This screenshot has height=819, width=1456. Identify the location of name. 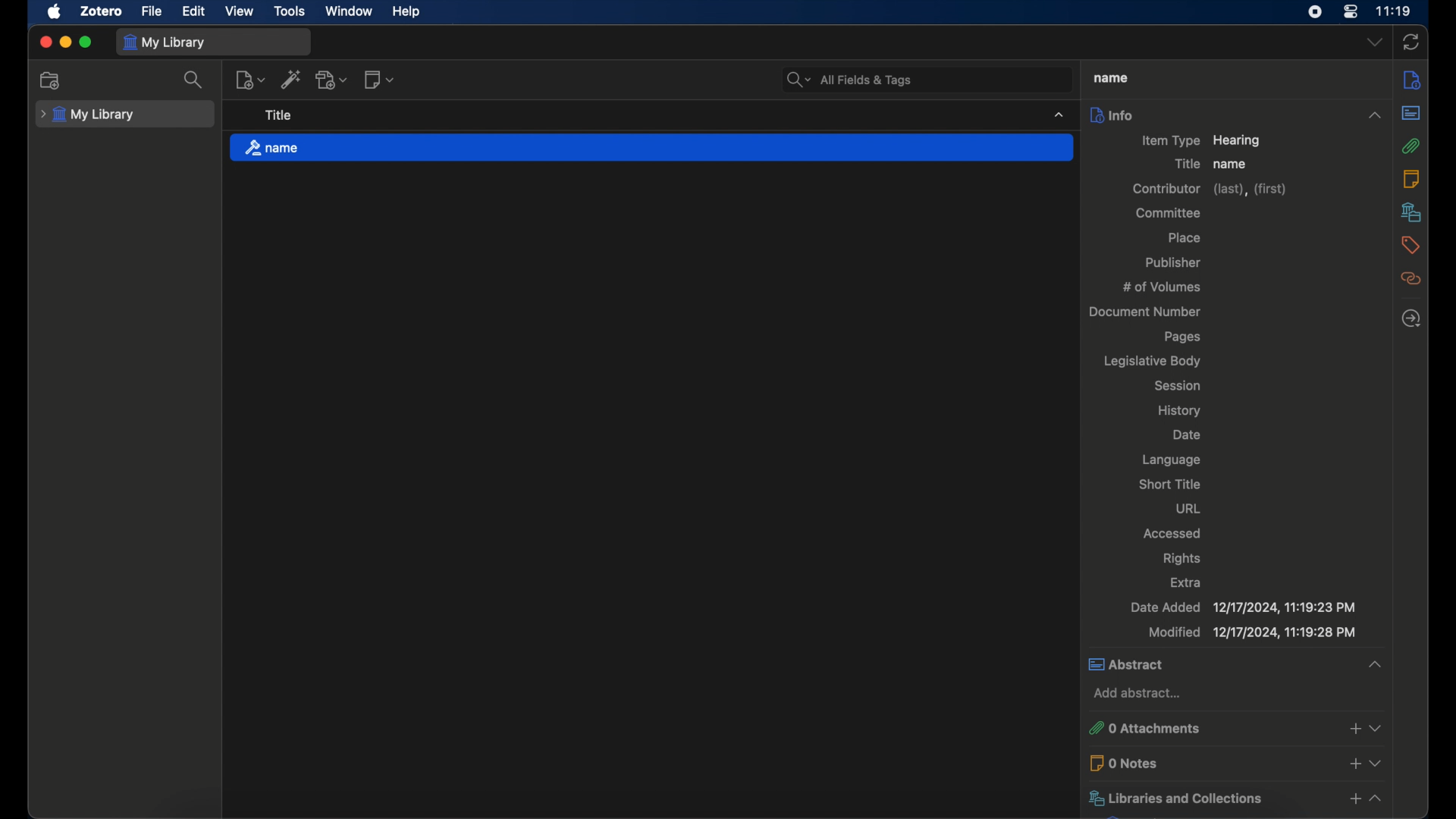
(1232, 165).